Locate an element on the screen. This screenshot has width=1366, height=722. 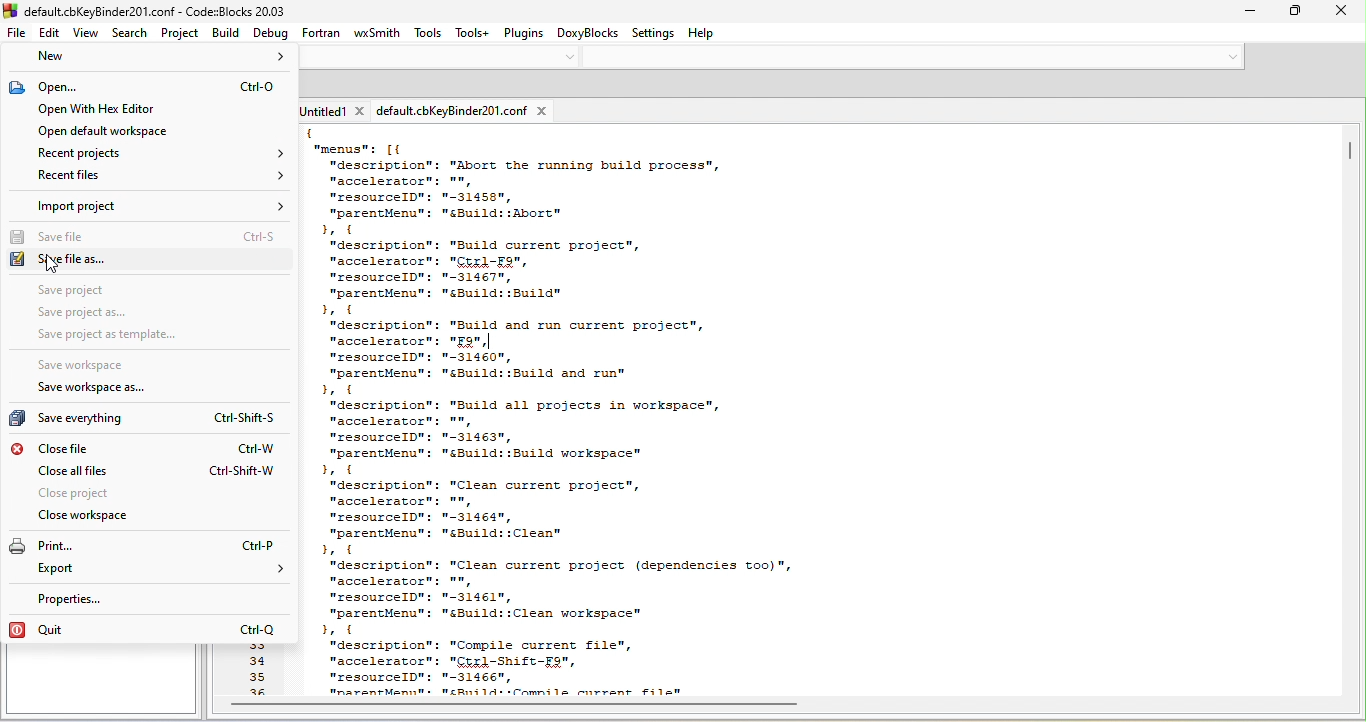
import project is located at coordinates (160, 207).